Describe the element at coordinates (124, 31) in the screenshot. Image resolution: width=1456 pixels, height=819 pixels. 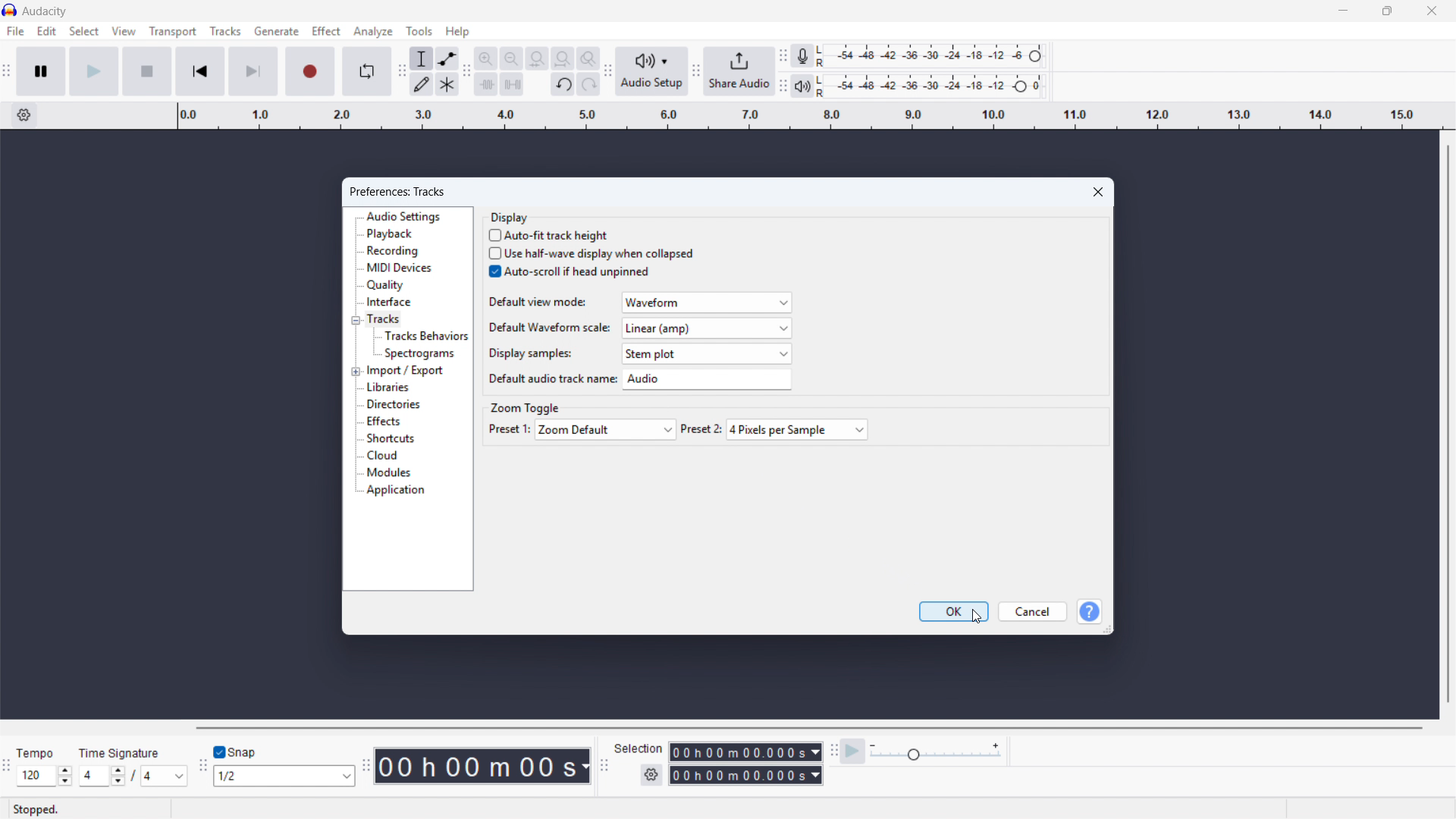
I see `view` at that location.